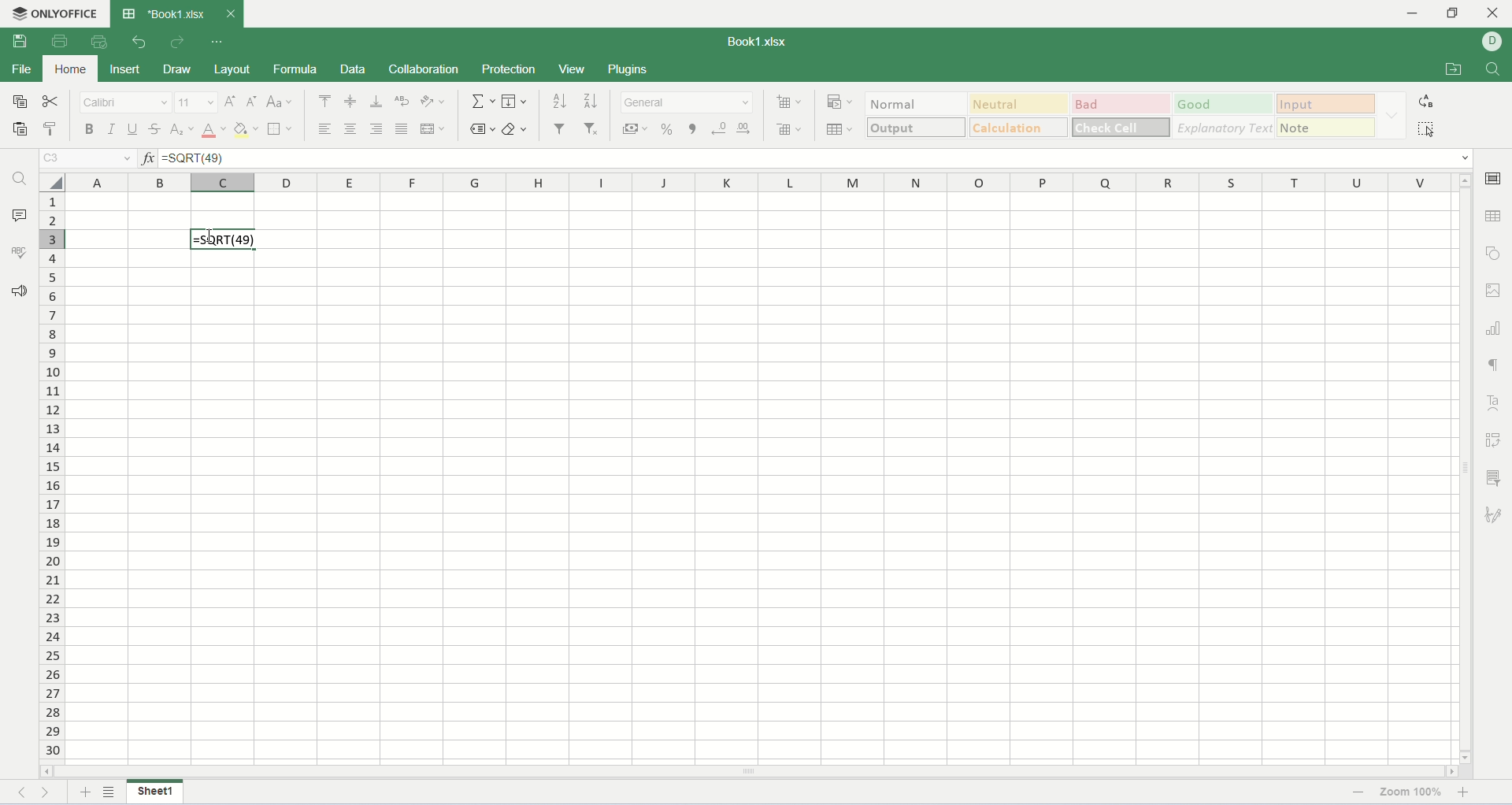 The width and height of the screenshot is (1512, 805). I want to click on image settings, so click(1496, 293).